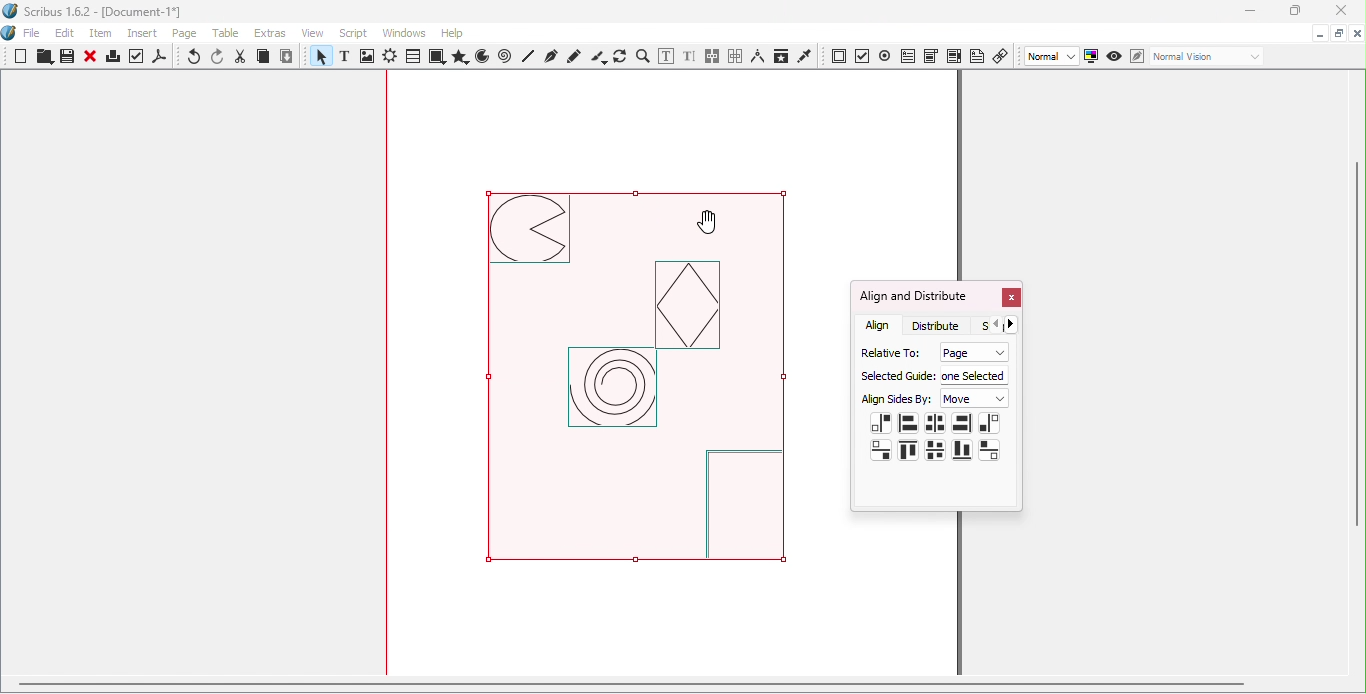 The width and height of the screenshot is (1366, 694). I want to click on Horizontal scroll bar, so click(674, 687).